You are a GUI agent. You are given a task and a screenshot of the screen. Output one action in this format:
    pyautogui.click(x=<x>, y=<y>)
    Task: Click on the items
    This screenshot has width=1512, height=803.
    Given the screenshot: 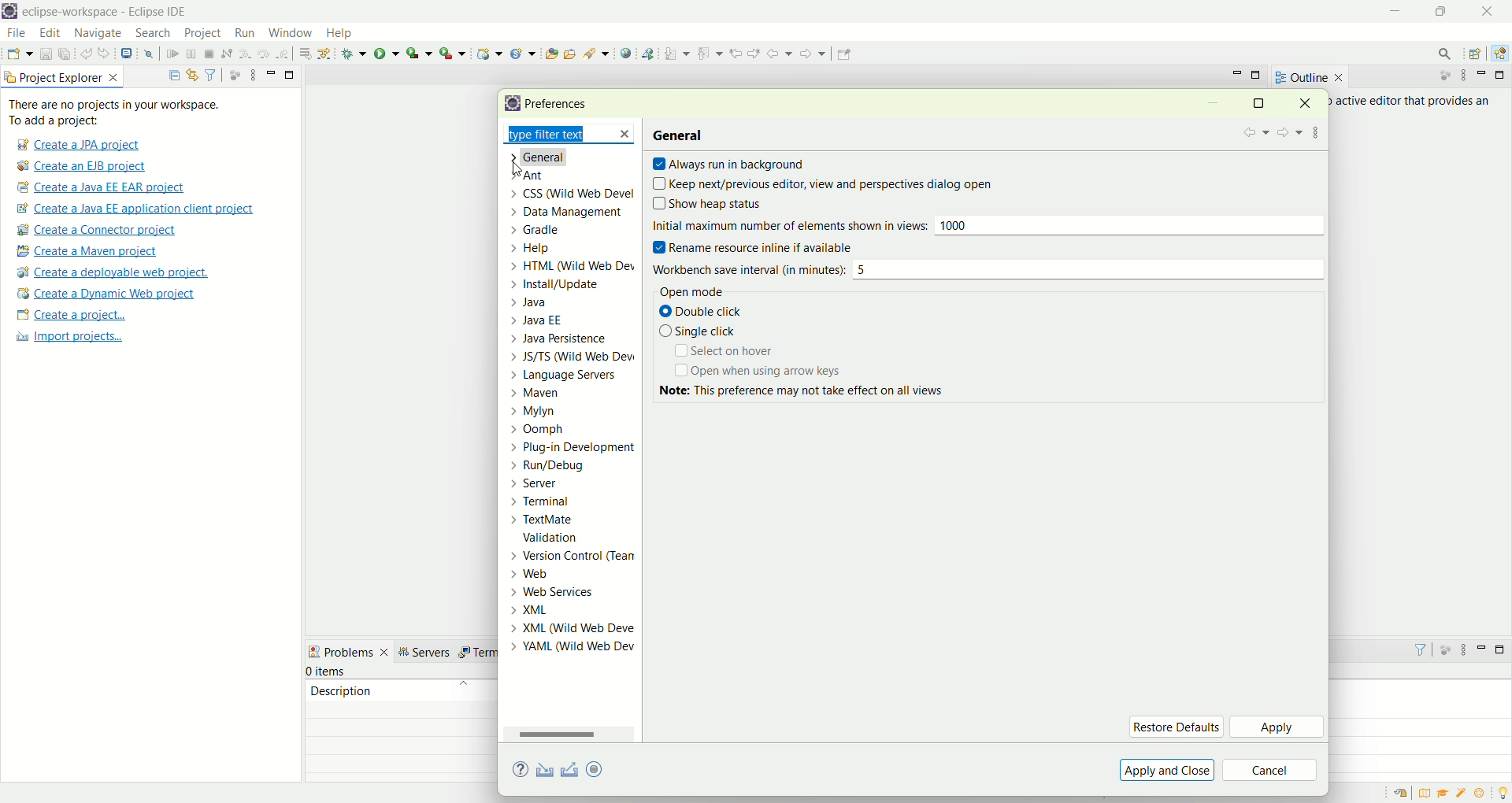 What is the action you would take?
    pyautogui.click(x=328, y=672)
    